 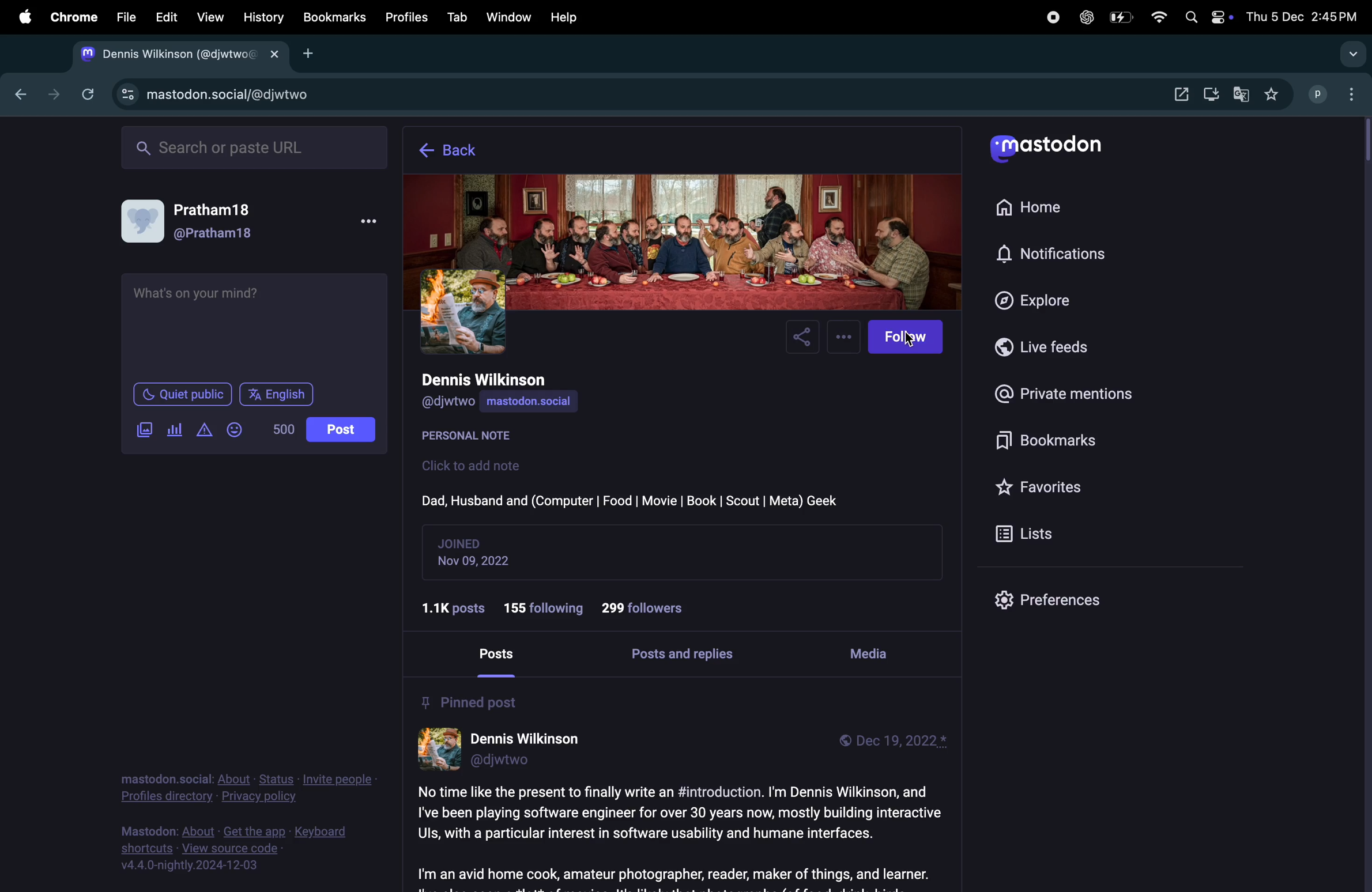 What do you see at coordinates (235, 428) in the screenshot?
I see `emoji` at bounding box center [235, 428].